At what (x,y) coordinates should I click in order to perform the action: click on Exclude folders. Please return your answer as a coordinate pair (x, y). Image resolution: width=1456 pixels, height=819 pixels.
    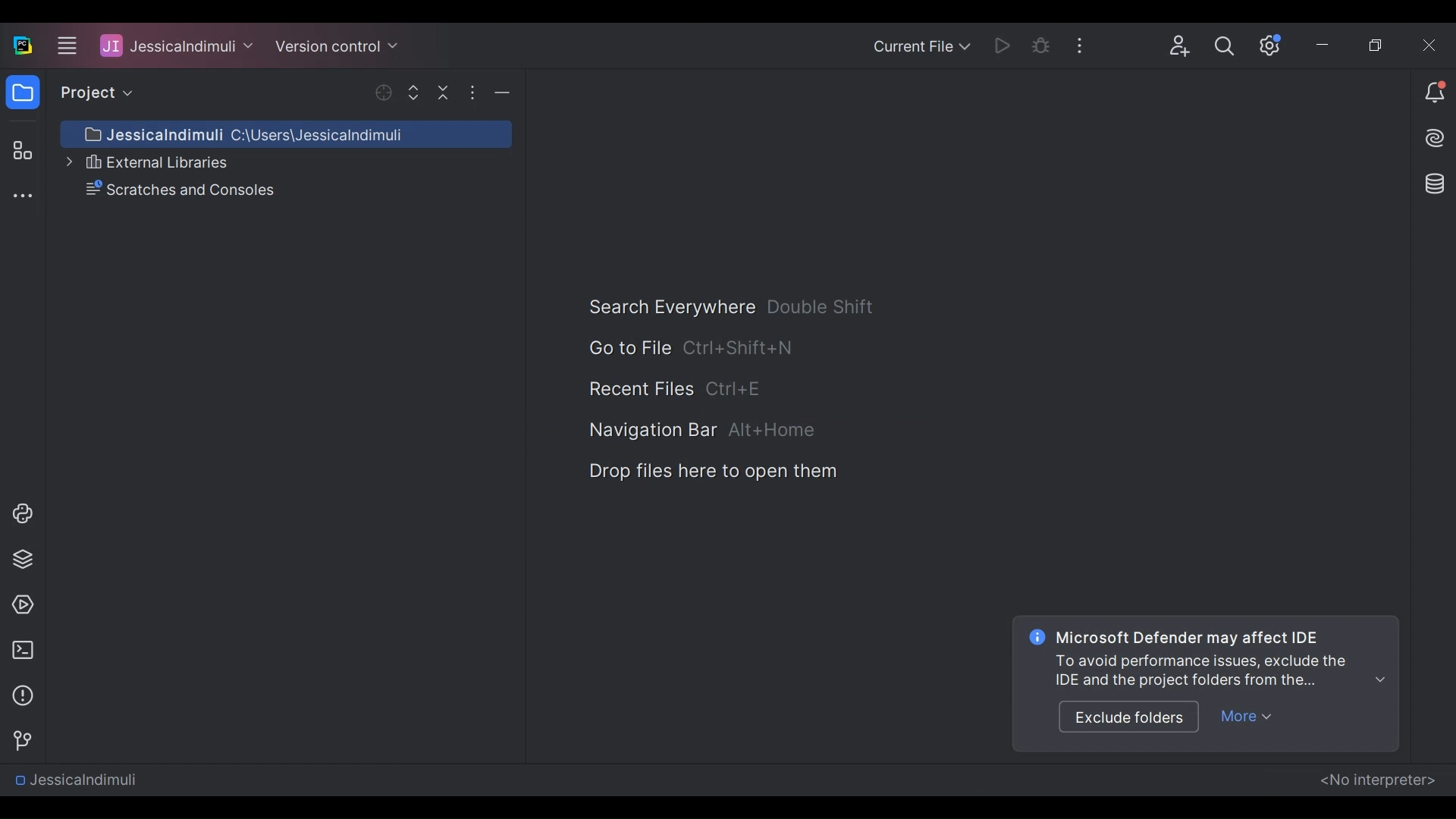
    Looking at the image, I should click on (1128, 716).